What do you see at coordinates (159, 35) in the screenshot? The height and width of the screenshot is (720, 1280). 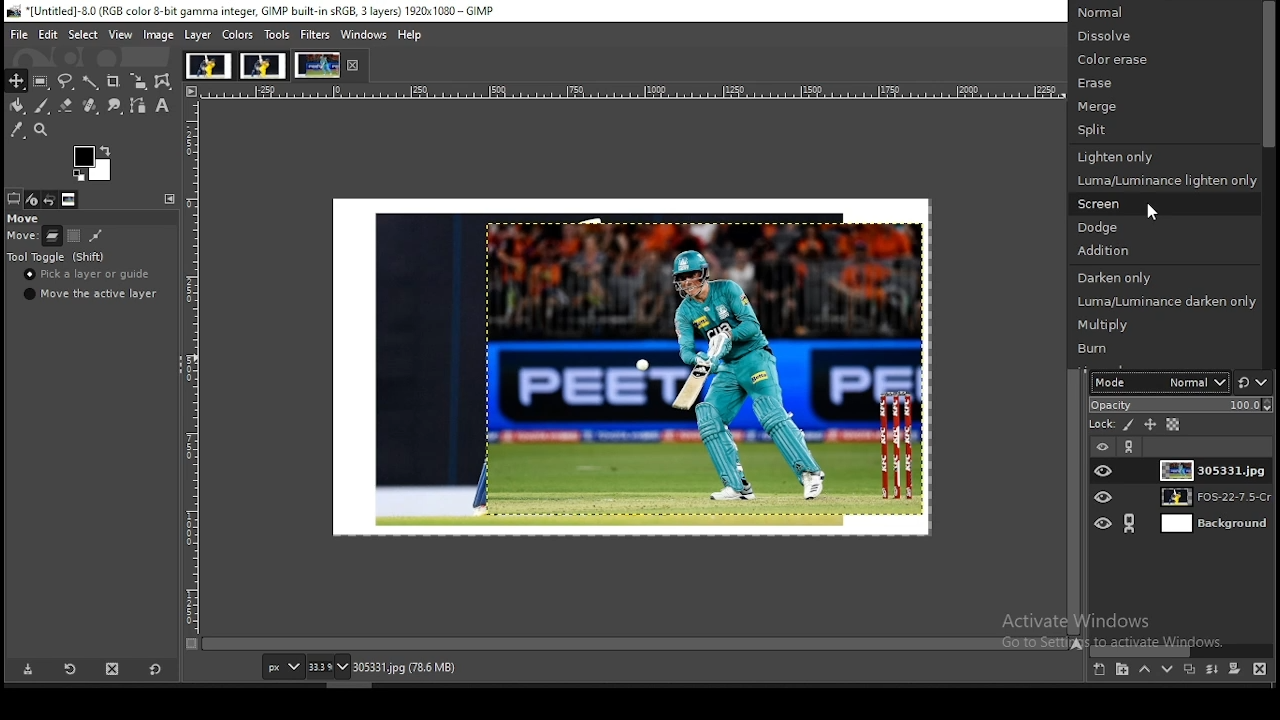 I see `image` at bounding box center [159, 35].